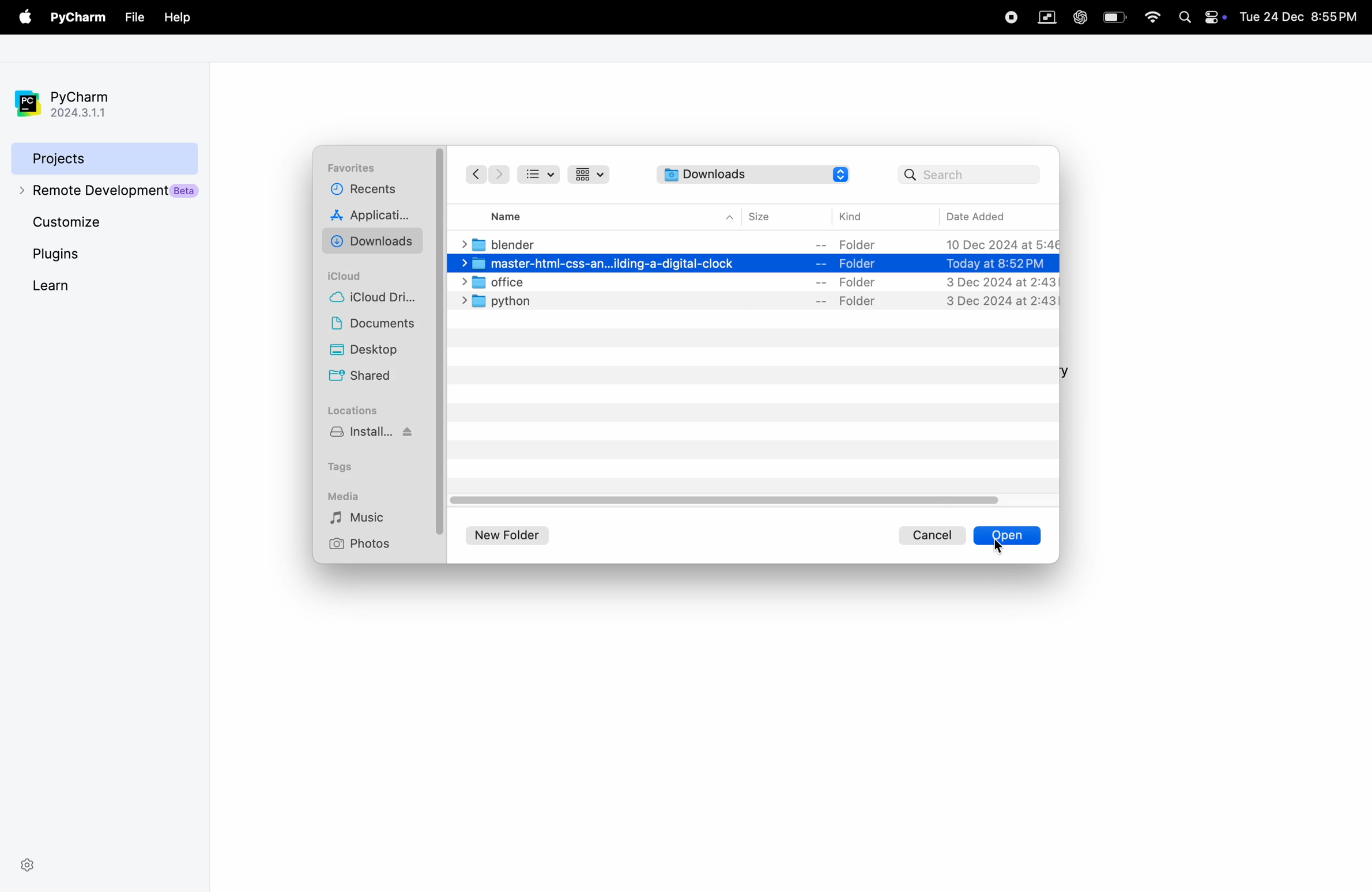 The image size is (1372, 892). Describe the element at coordinates (105, 224) in the screenshot. I see `customize` at that location.